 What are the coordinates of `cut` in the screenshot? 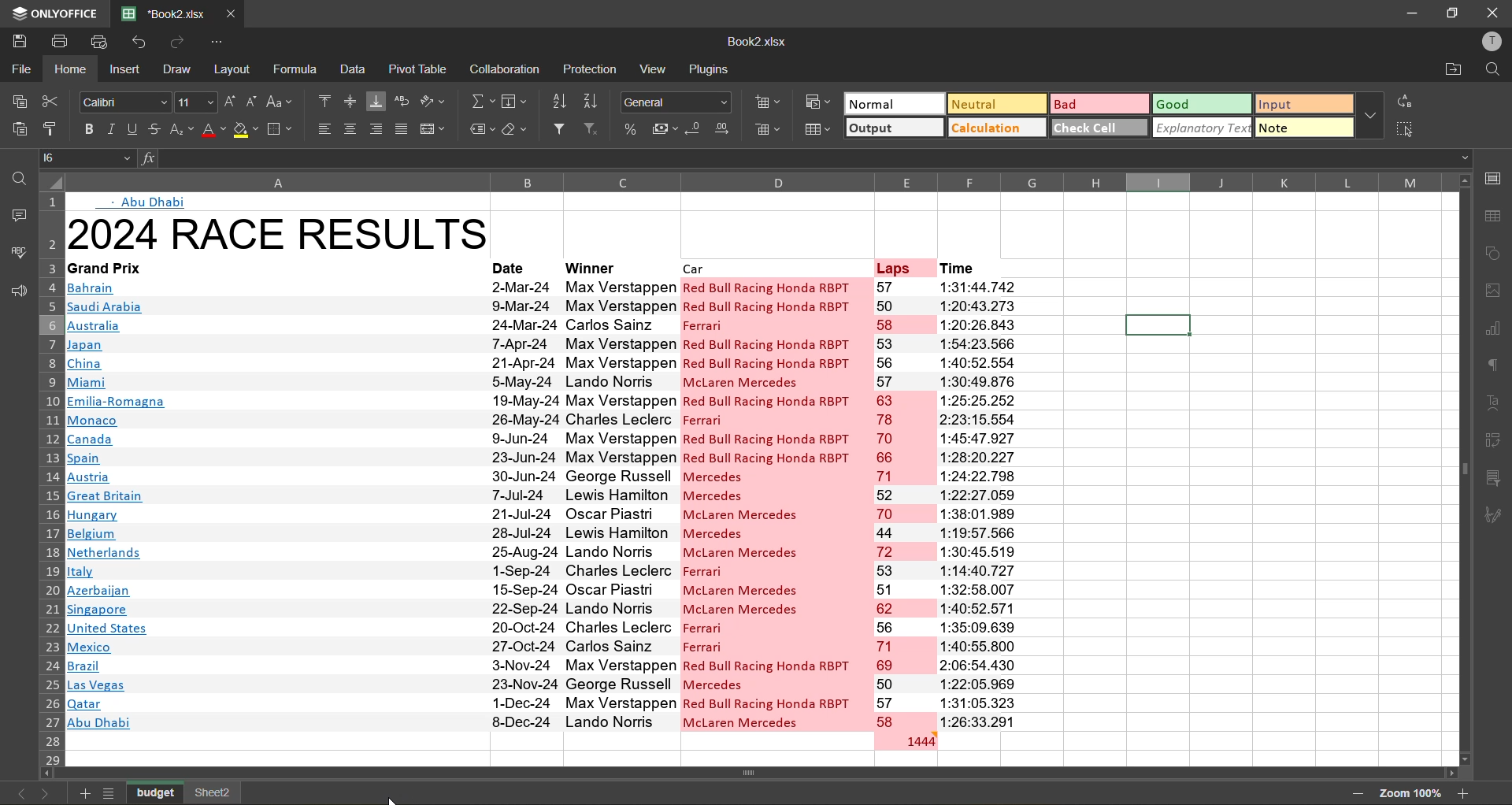 It's located at (52, 101).